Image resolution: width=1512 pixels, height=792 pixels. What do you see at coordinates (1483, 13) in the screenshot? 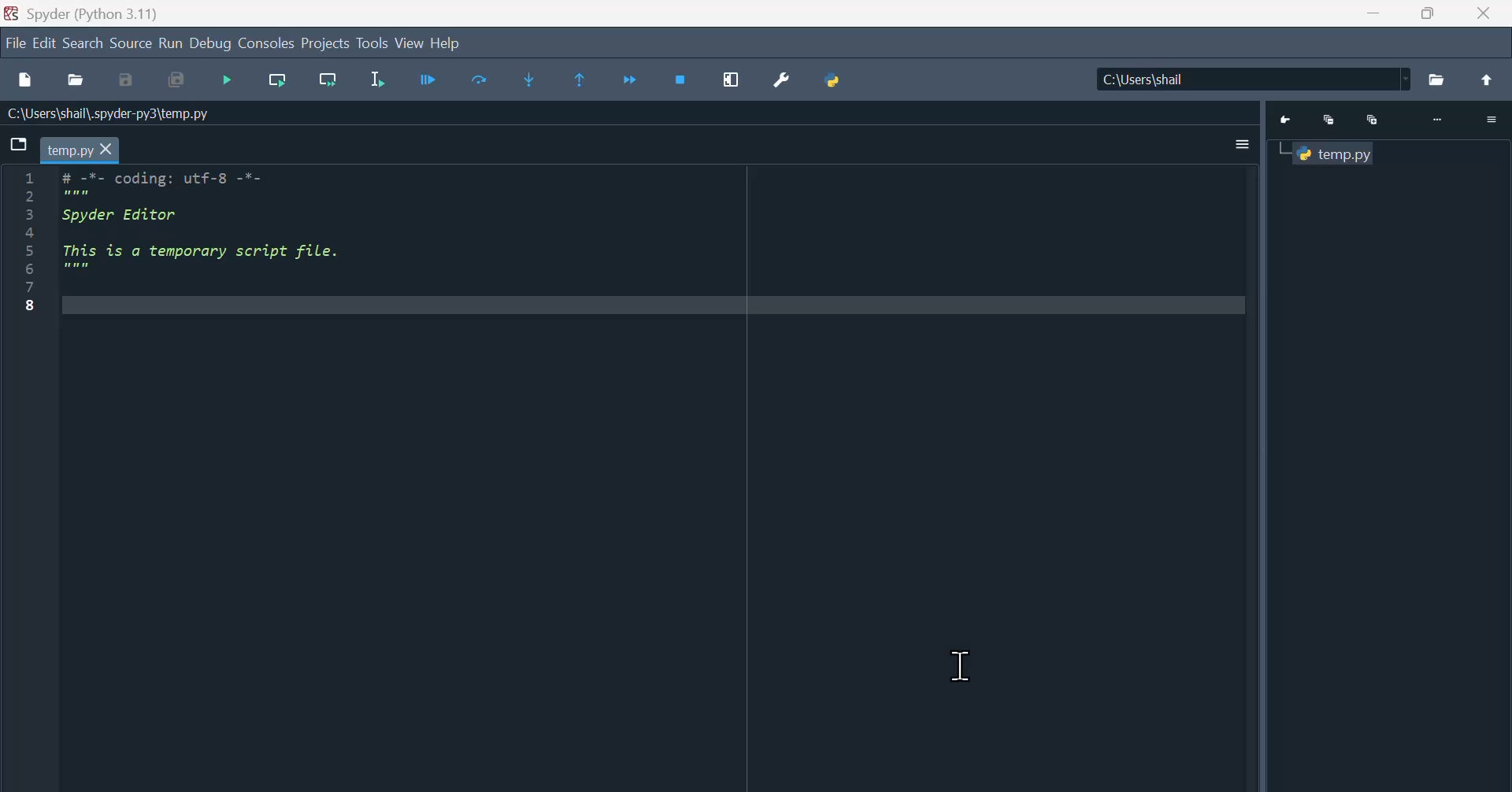
I see `close` at bounding box center [1483, 13].